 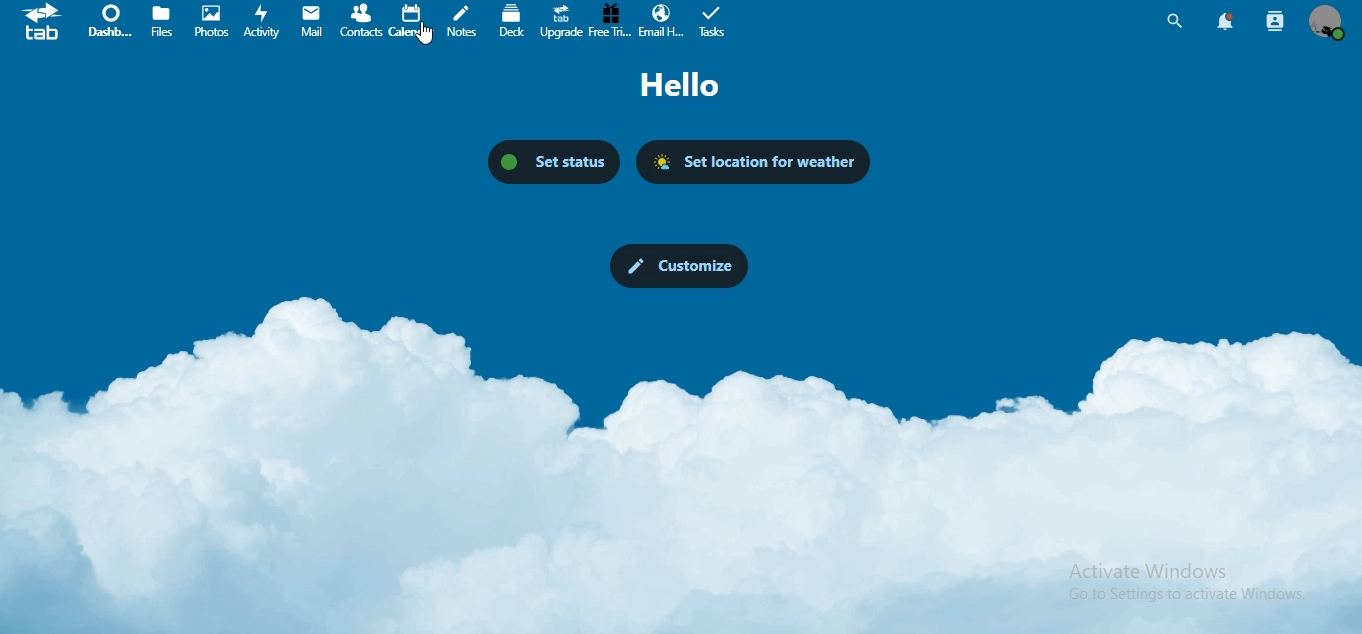 What do you see at coordinates (115, 20) in the screenshot?
I see `dashboard` at bounding box center [115, 20].